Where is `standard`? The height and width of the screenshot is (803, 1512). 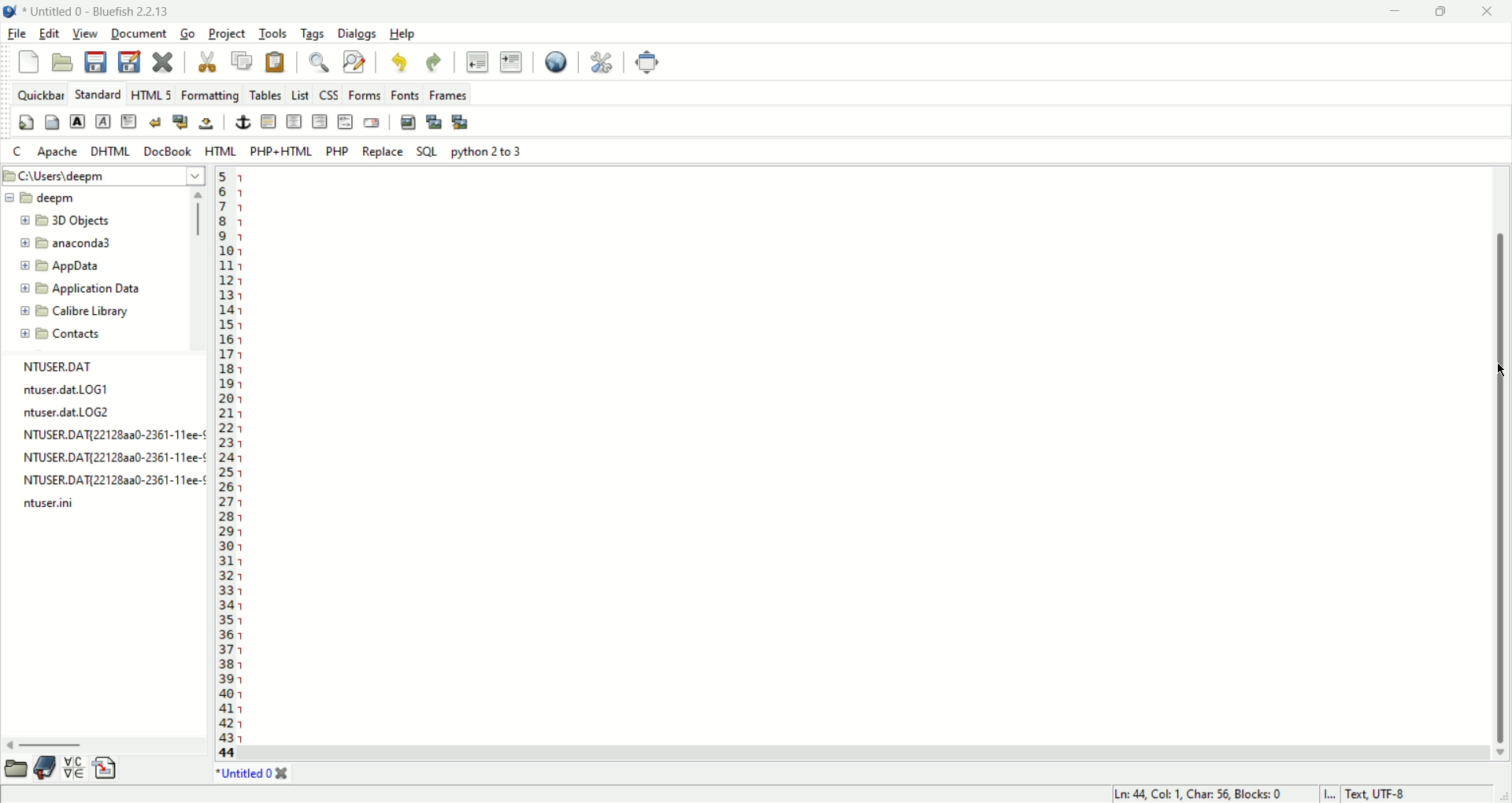
standard is located at coordinates (97, 95).